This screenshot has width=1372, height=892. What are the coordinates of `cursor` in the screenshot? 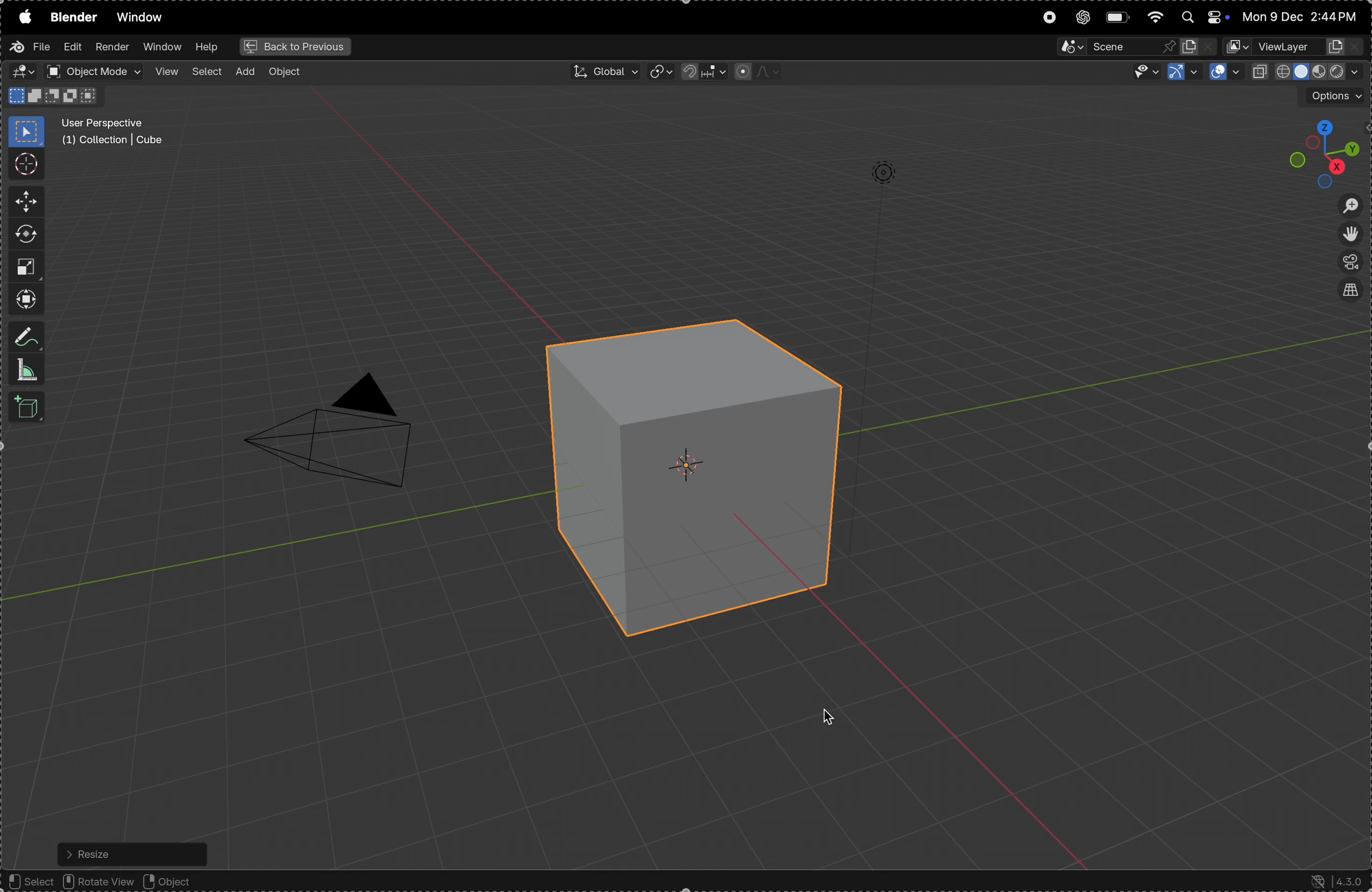 It's located at (826, 719).